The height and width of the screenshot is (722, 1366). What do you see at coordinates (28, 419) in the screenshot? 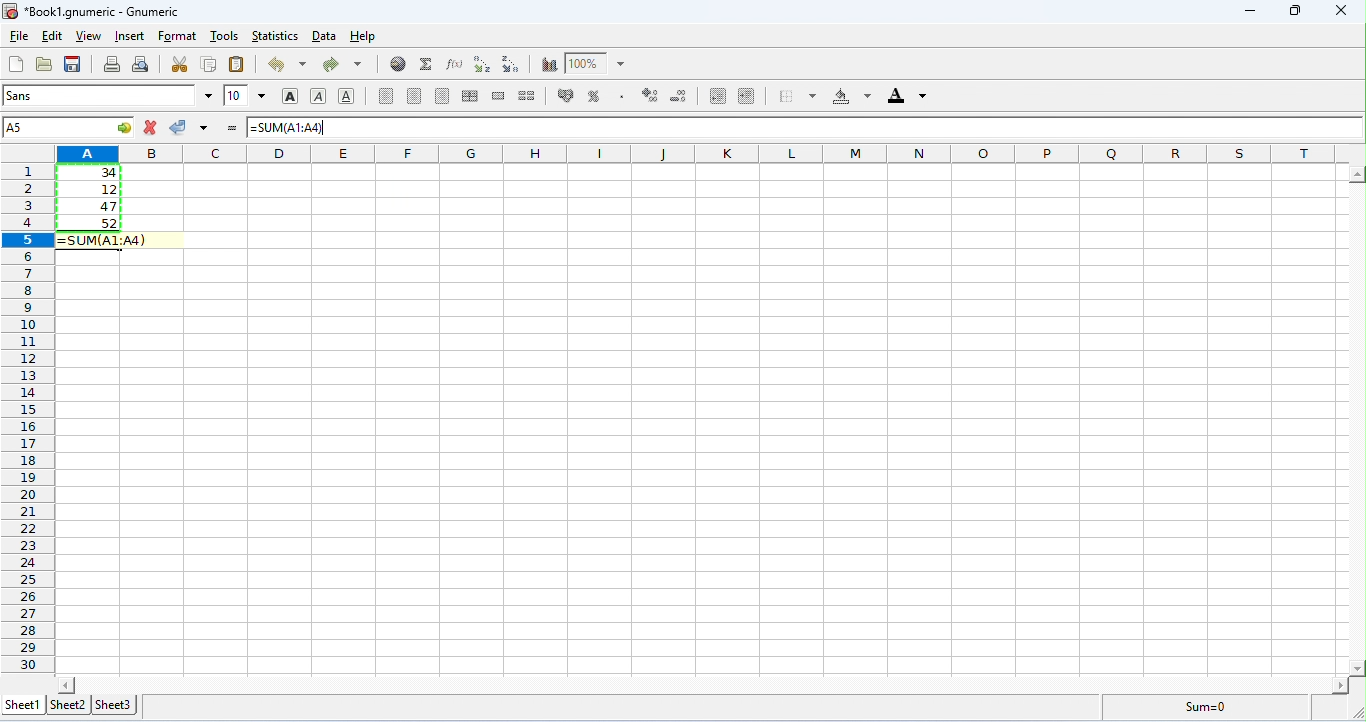
I see `row numbers` at bounding box center [28, 419].